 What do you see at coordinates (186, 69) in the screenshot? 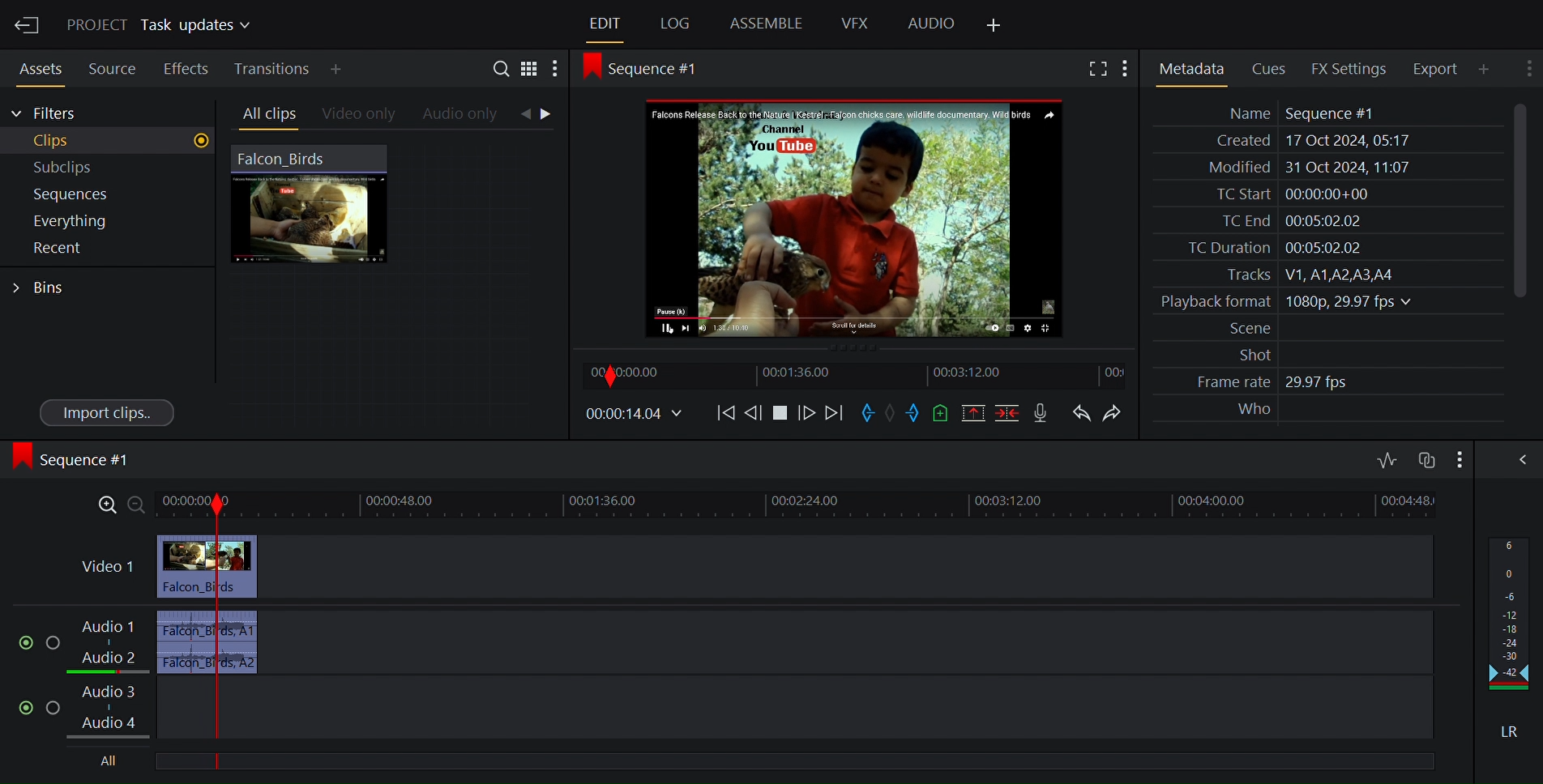
I see `Effects` at bounding box center [186, 69].